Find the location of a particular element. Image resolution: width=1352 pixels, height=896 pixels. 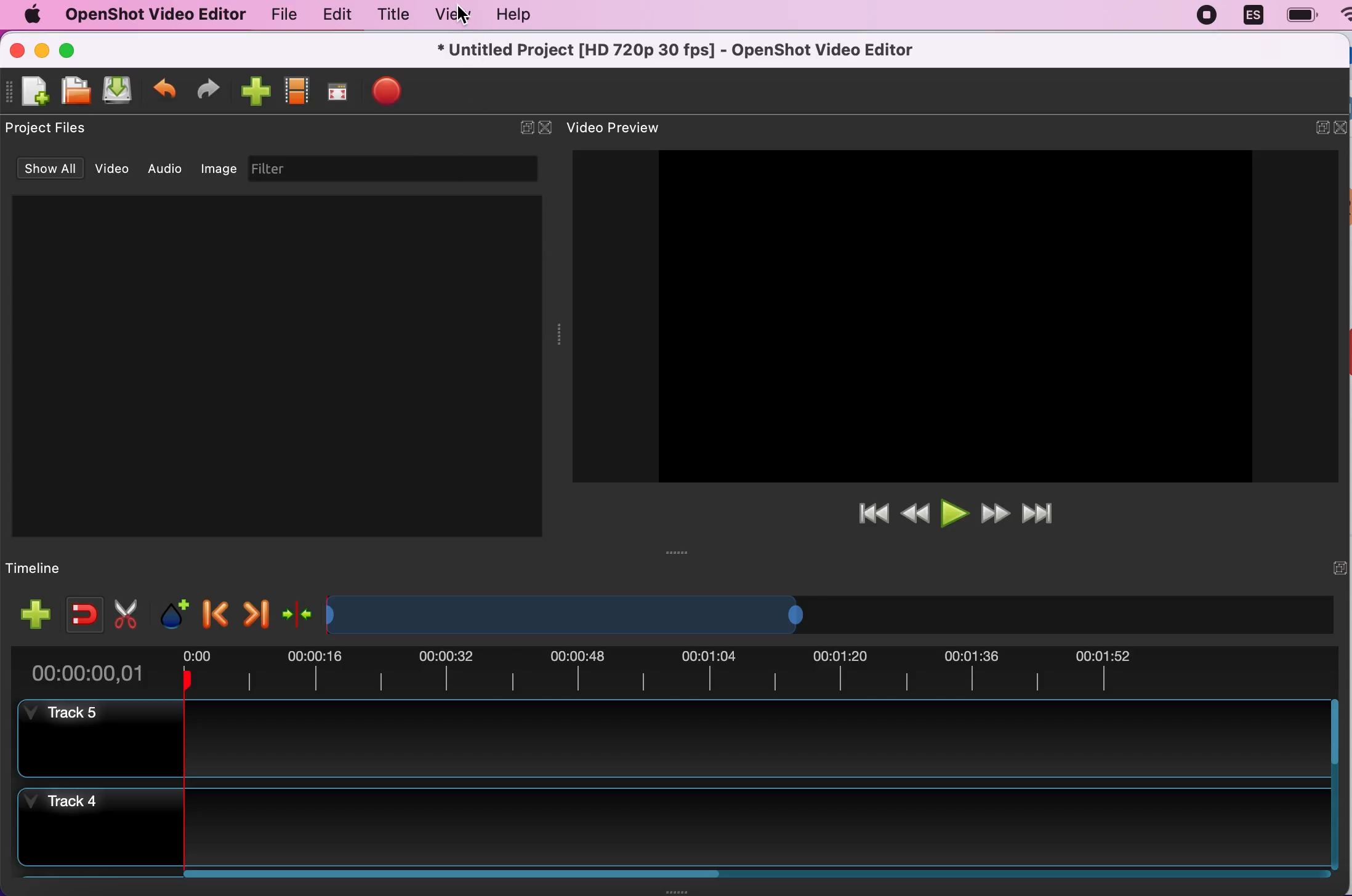

title is located at coordinates (388, 15).